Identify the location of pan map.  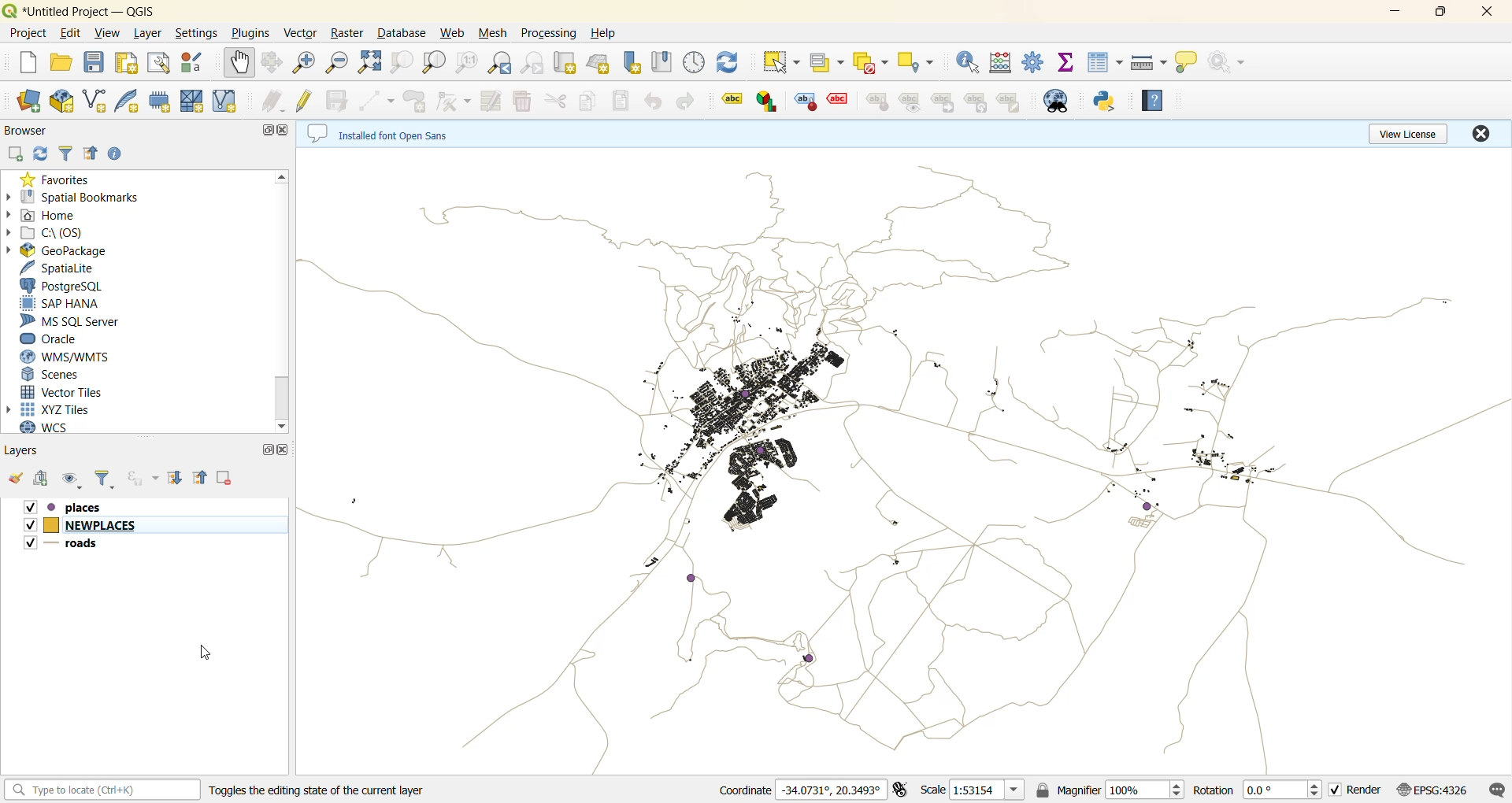
(239, 65).